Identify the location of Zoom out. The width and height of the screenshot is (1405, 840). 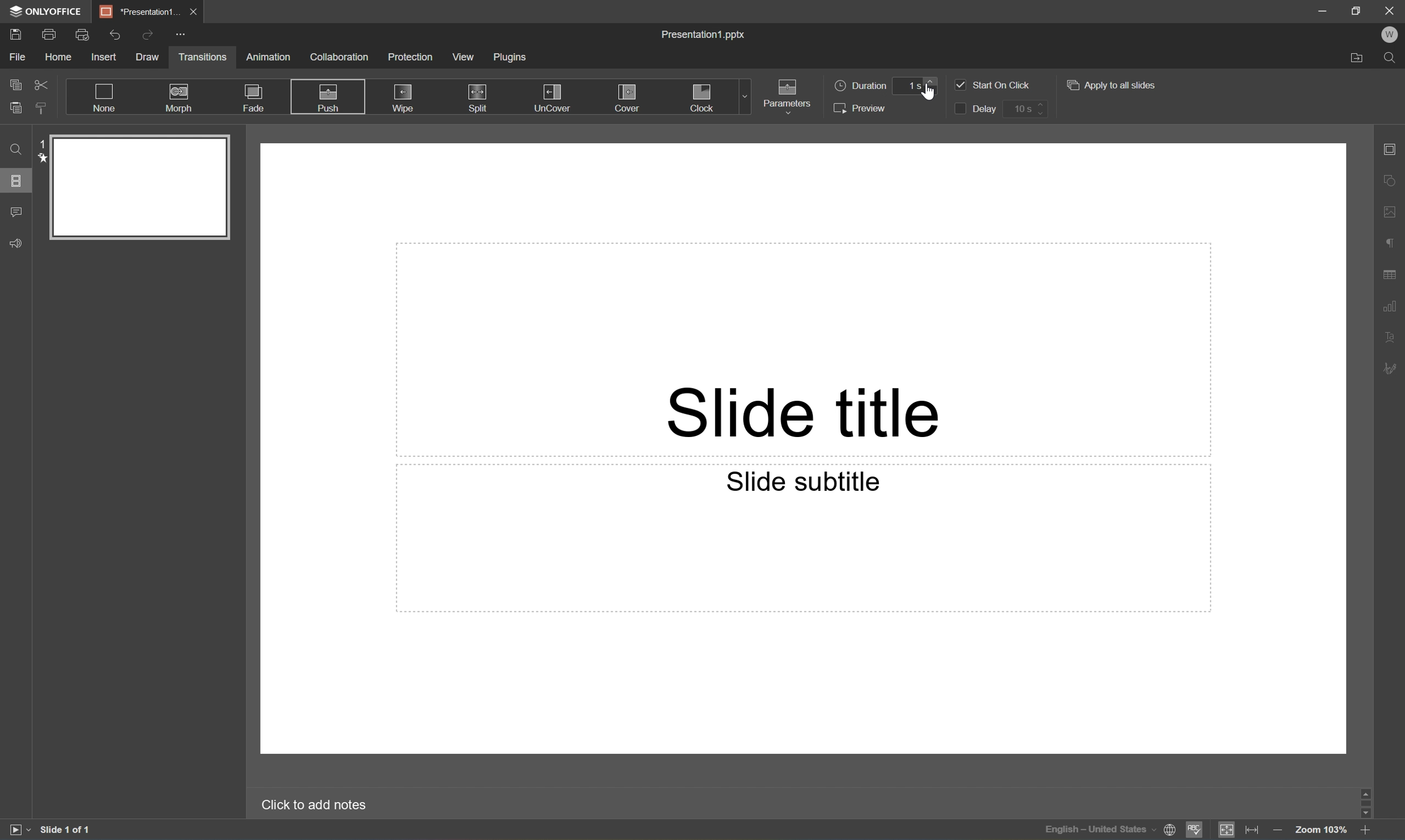
(1278, 832).